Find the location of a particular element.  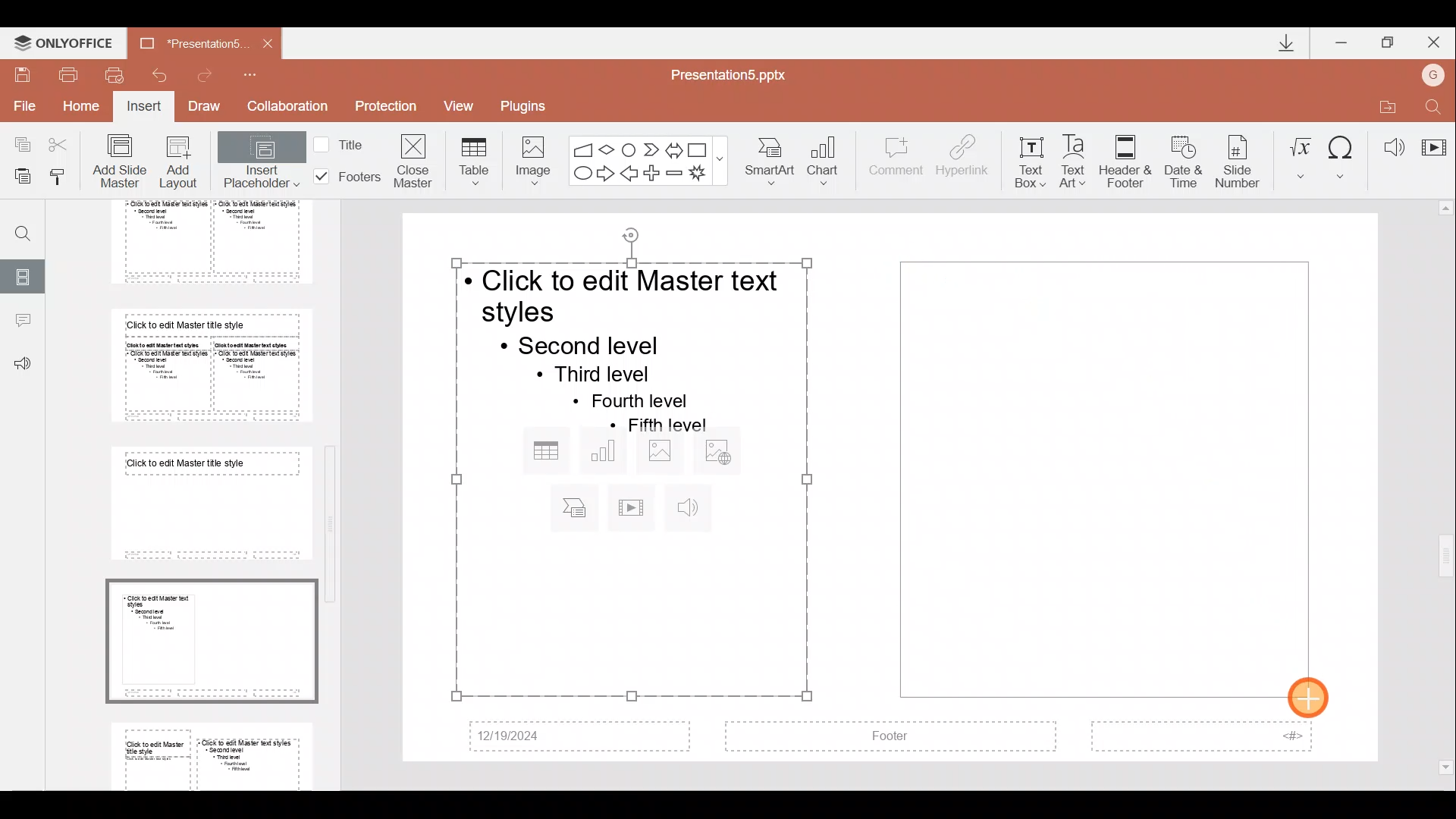

Print file is located at coordinates (69, 74).